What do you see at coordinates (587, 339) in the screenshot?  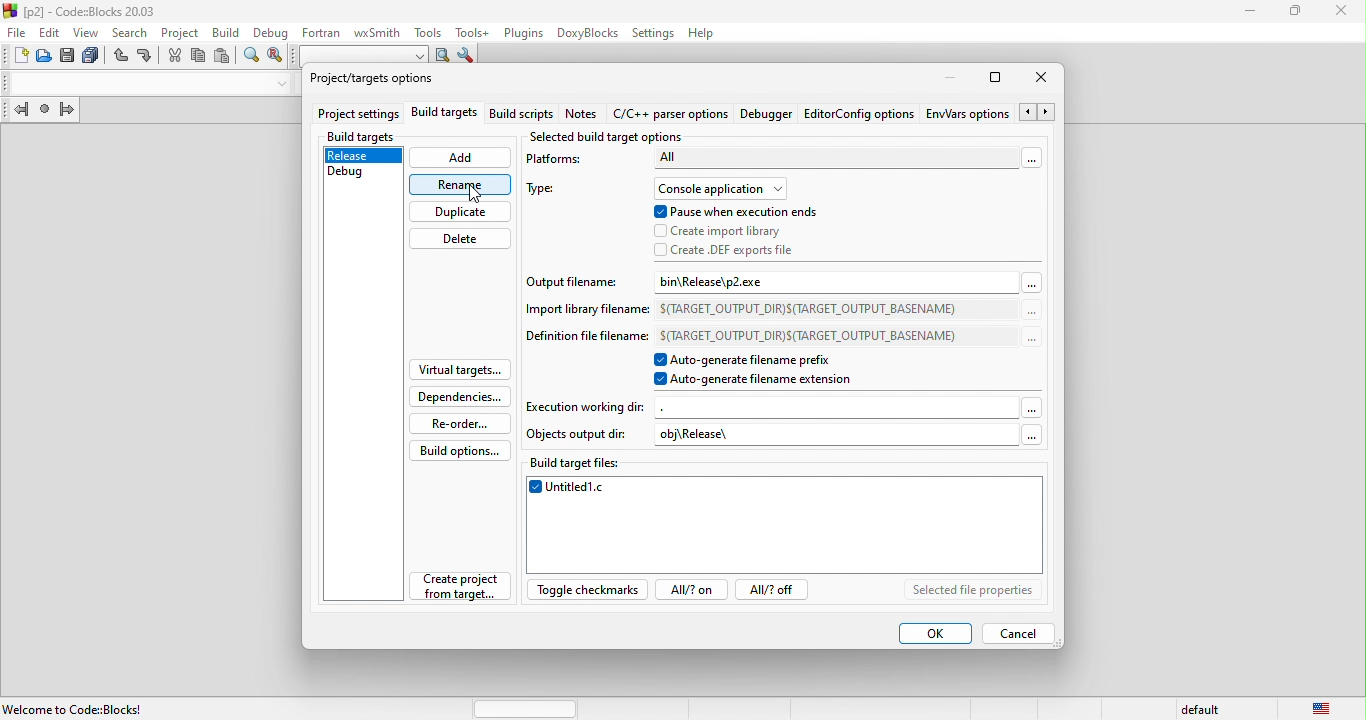 I see `definition file name` at bounding box center [587, 339].